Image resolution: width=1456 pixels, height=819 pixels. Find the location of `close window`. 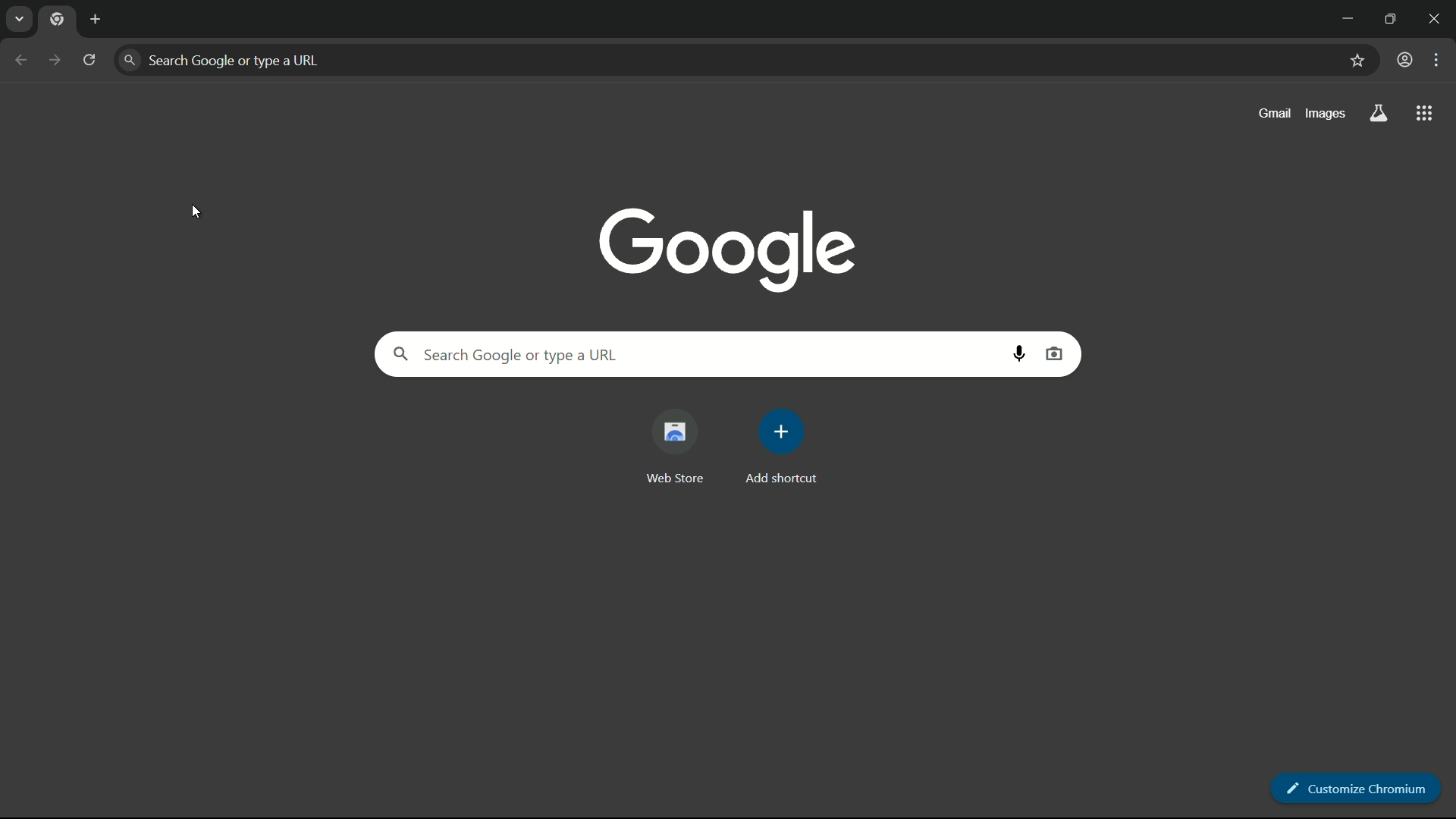

close window is located at coordinates (1439, 17).